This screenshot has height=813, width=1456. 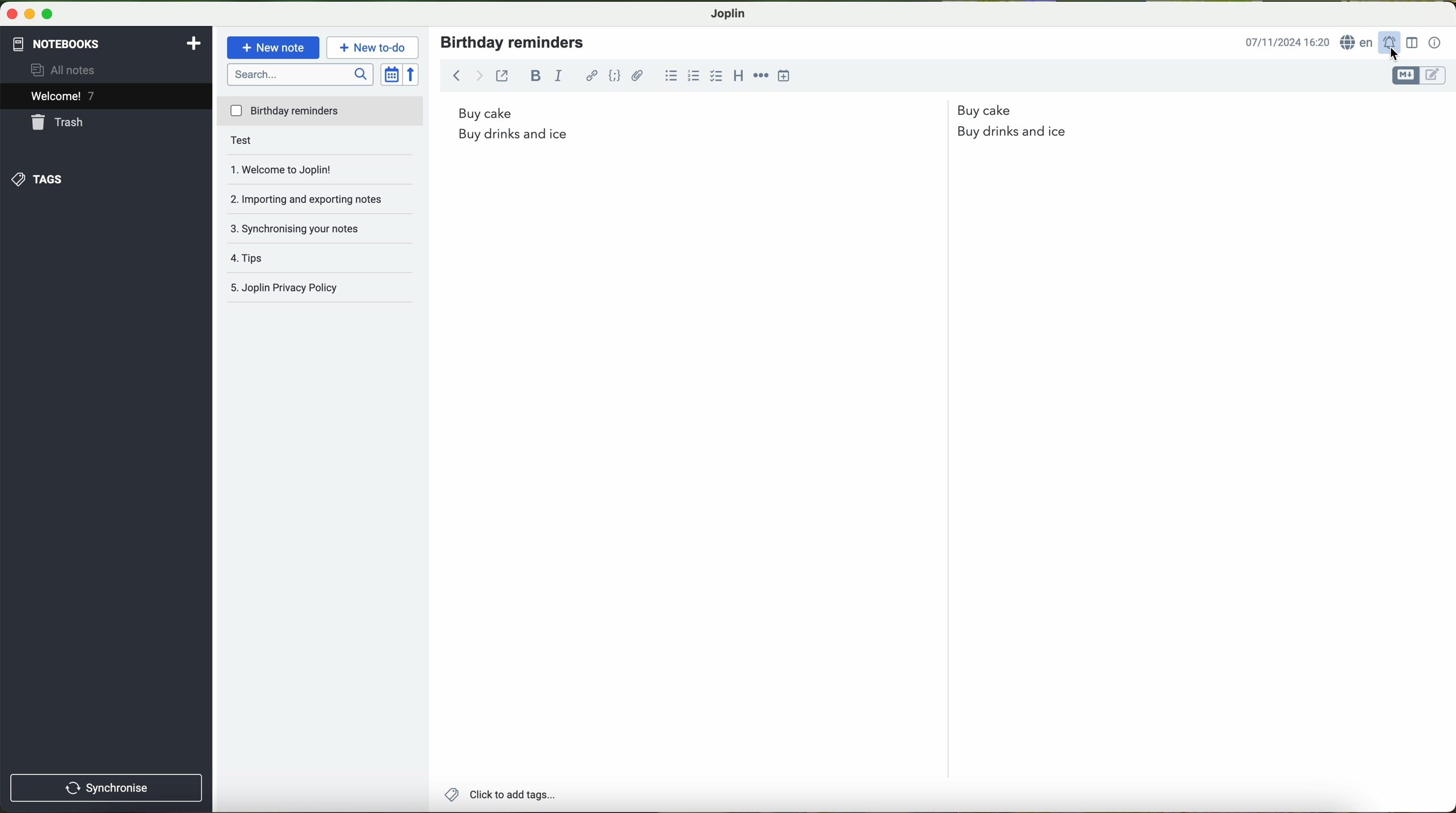 I want to click on attach file, so click(x=637, y=76).